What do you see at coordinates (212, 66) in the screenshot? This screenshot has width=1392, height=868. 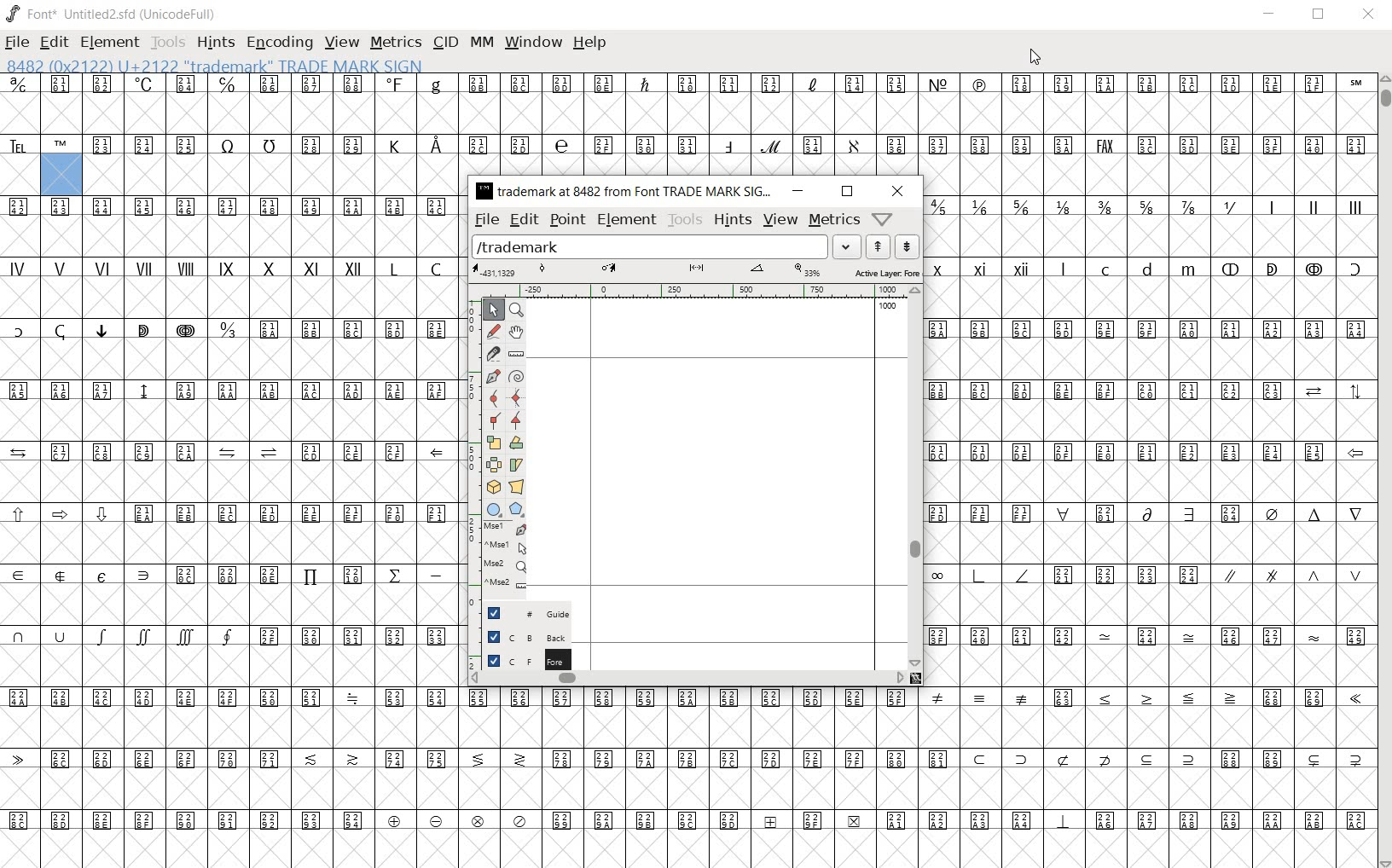 I see `8482 (0x2122) U+2122 "trademark" Trade Mark Sign` at bounding box center [212, 66].